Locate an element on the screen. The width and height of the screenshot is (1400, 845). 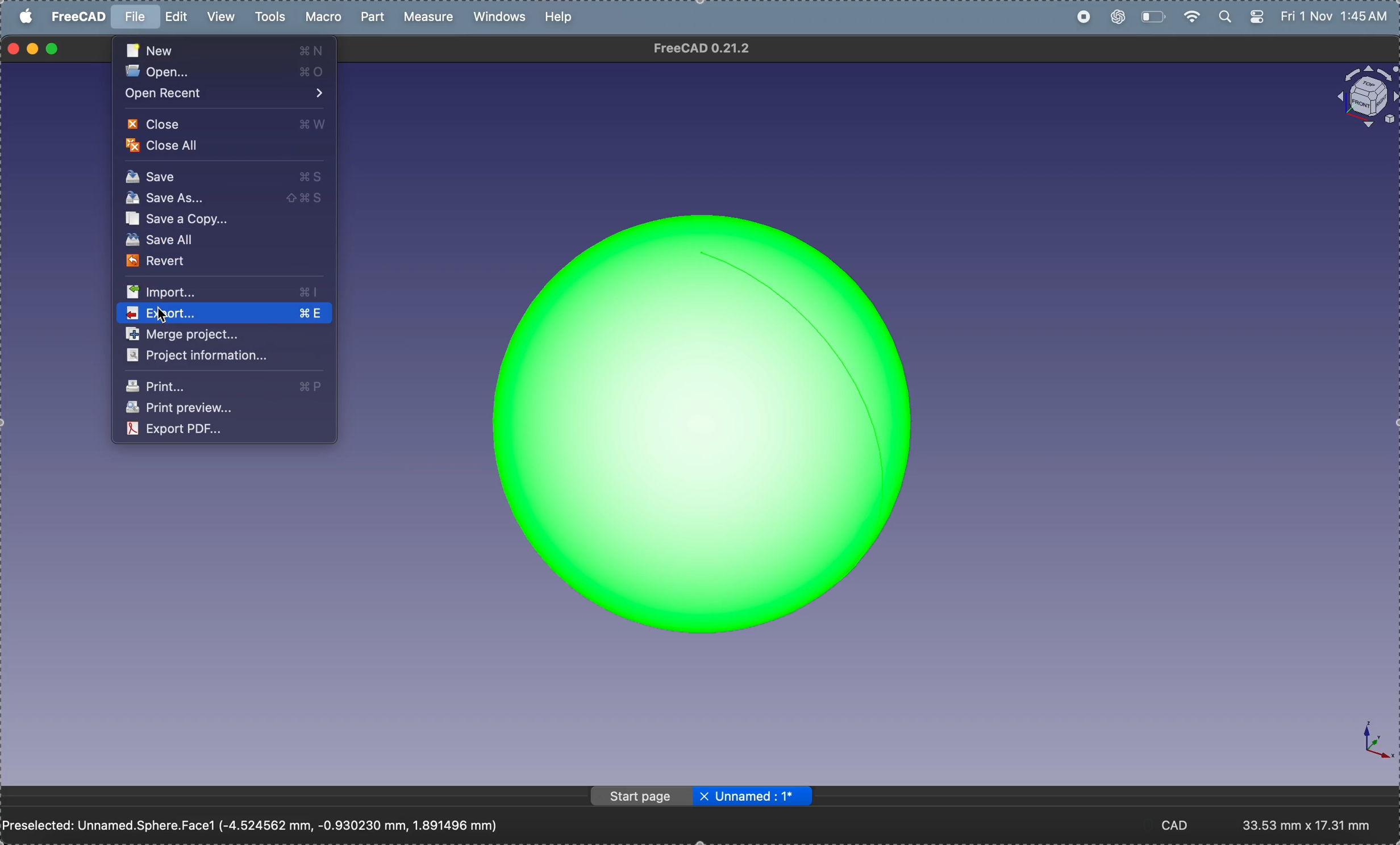
import is located at coordinates (223, 290).